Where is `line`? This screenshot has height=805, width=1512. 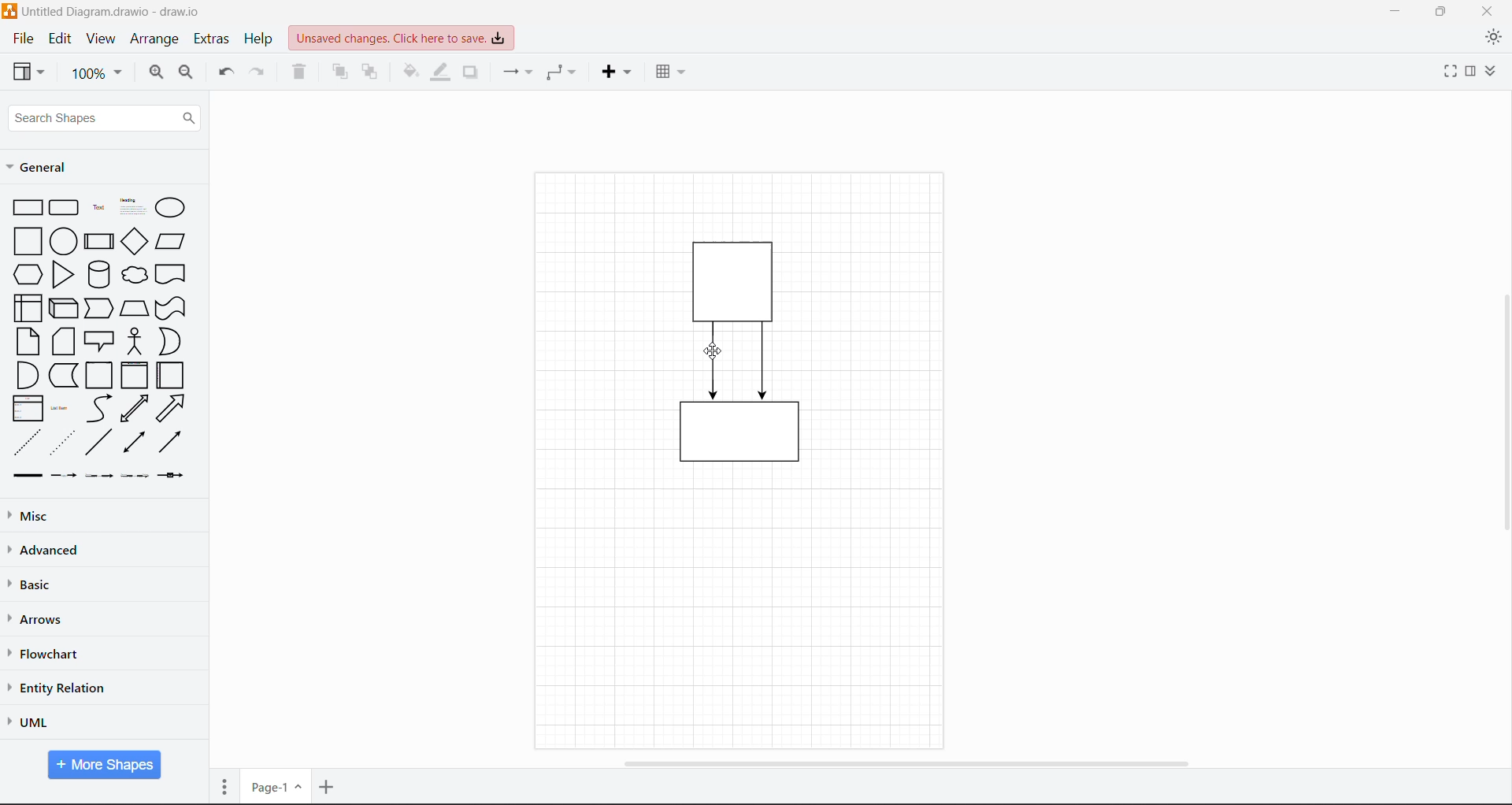
line is located at coordinates (99, 442).